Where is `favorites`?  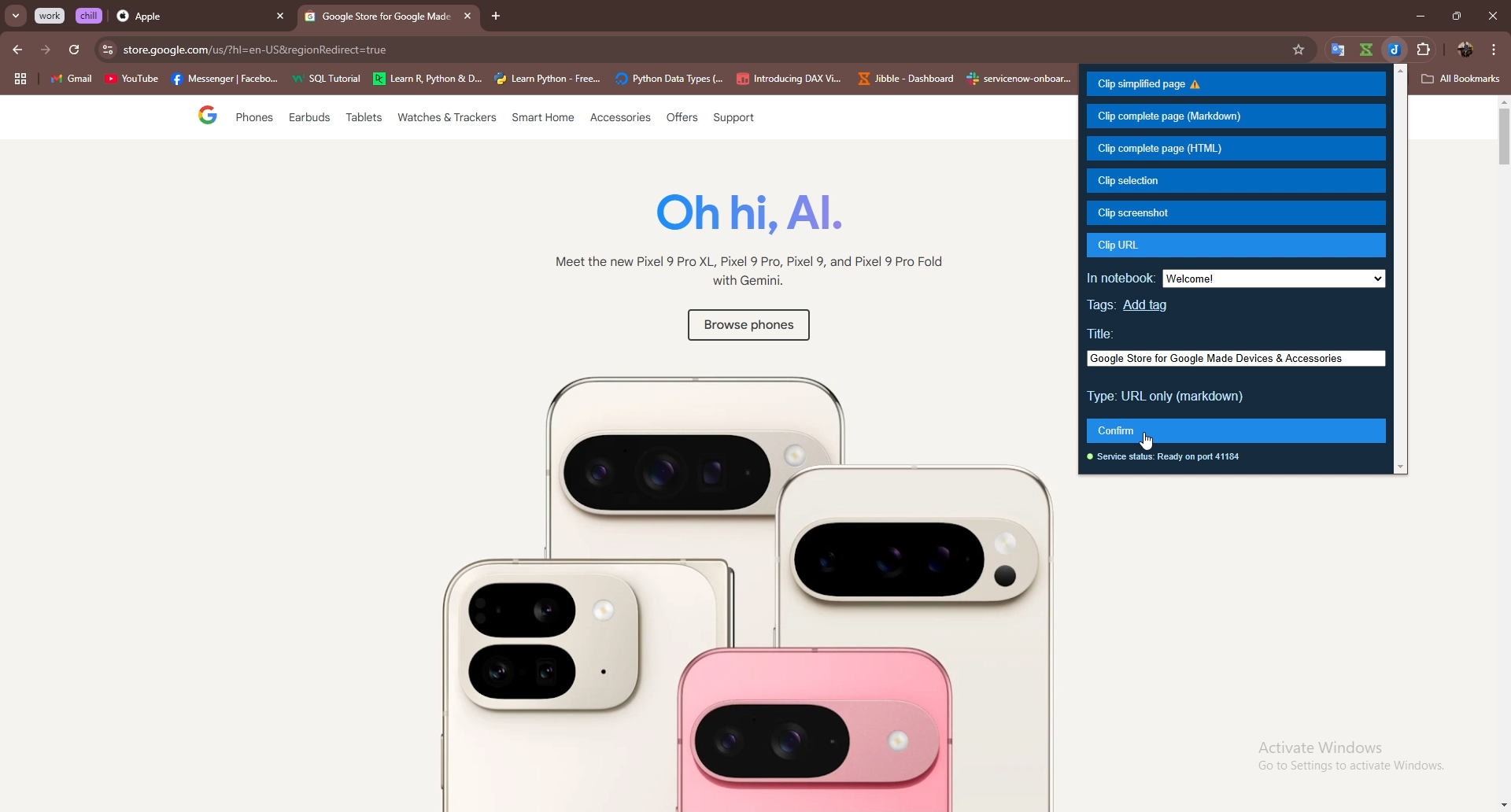
favorites is located at coordinates (1301, 50).